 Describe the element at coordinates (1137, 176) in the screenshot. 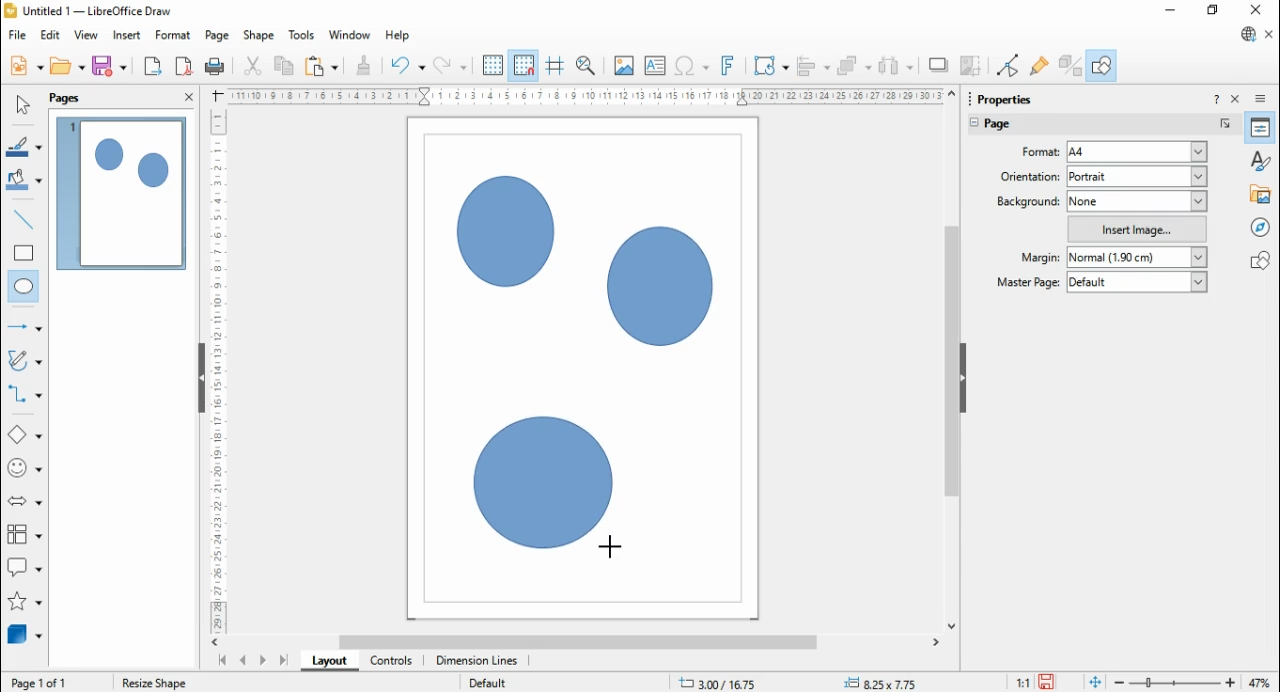

I see `portrait` at that location.